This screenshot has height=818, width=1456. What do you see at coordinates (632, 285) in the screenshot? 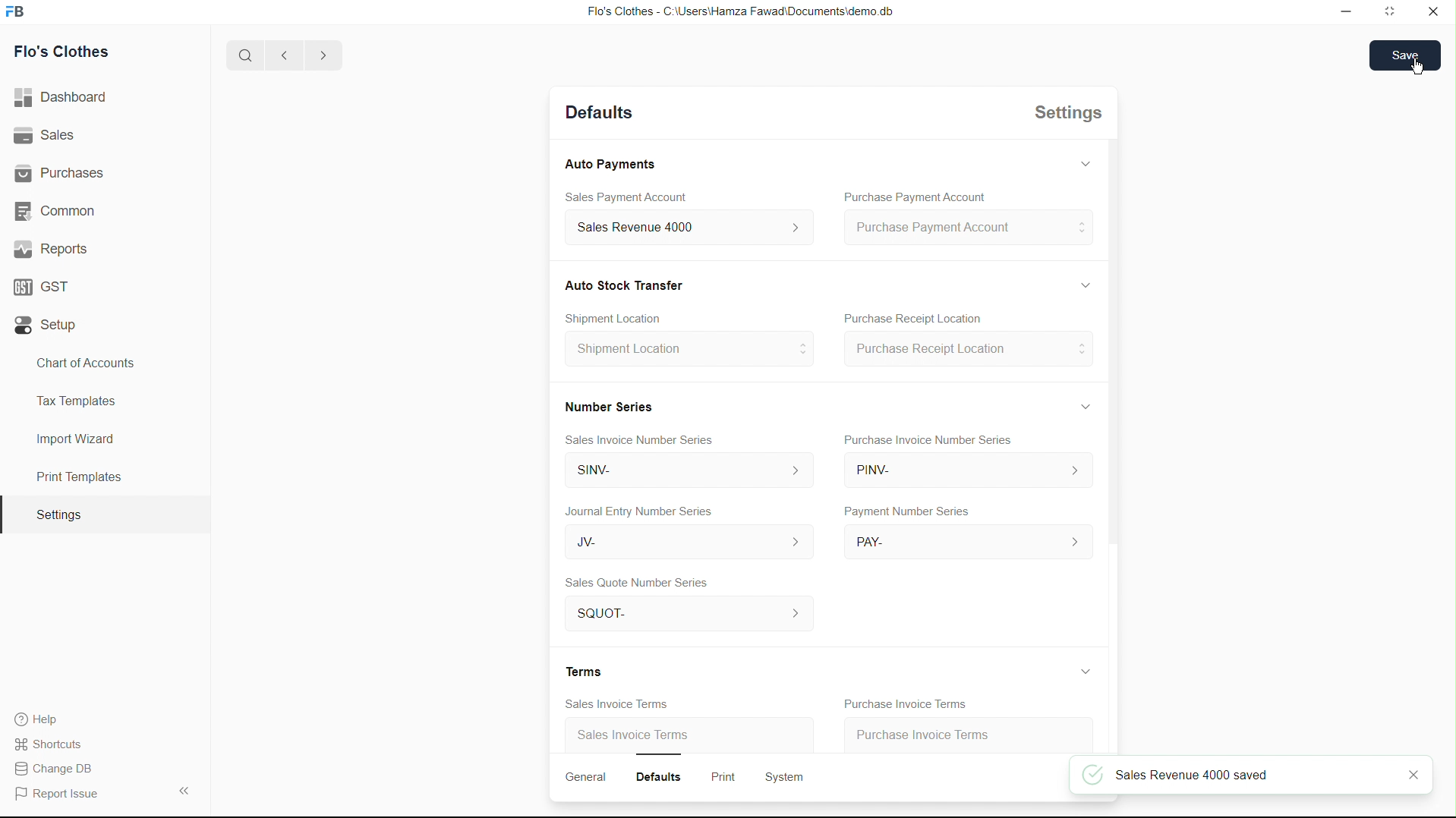
I see `Cash` at bounding box center [632, 285].